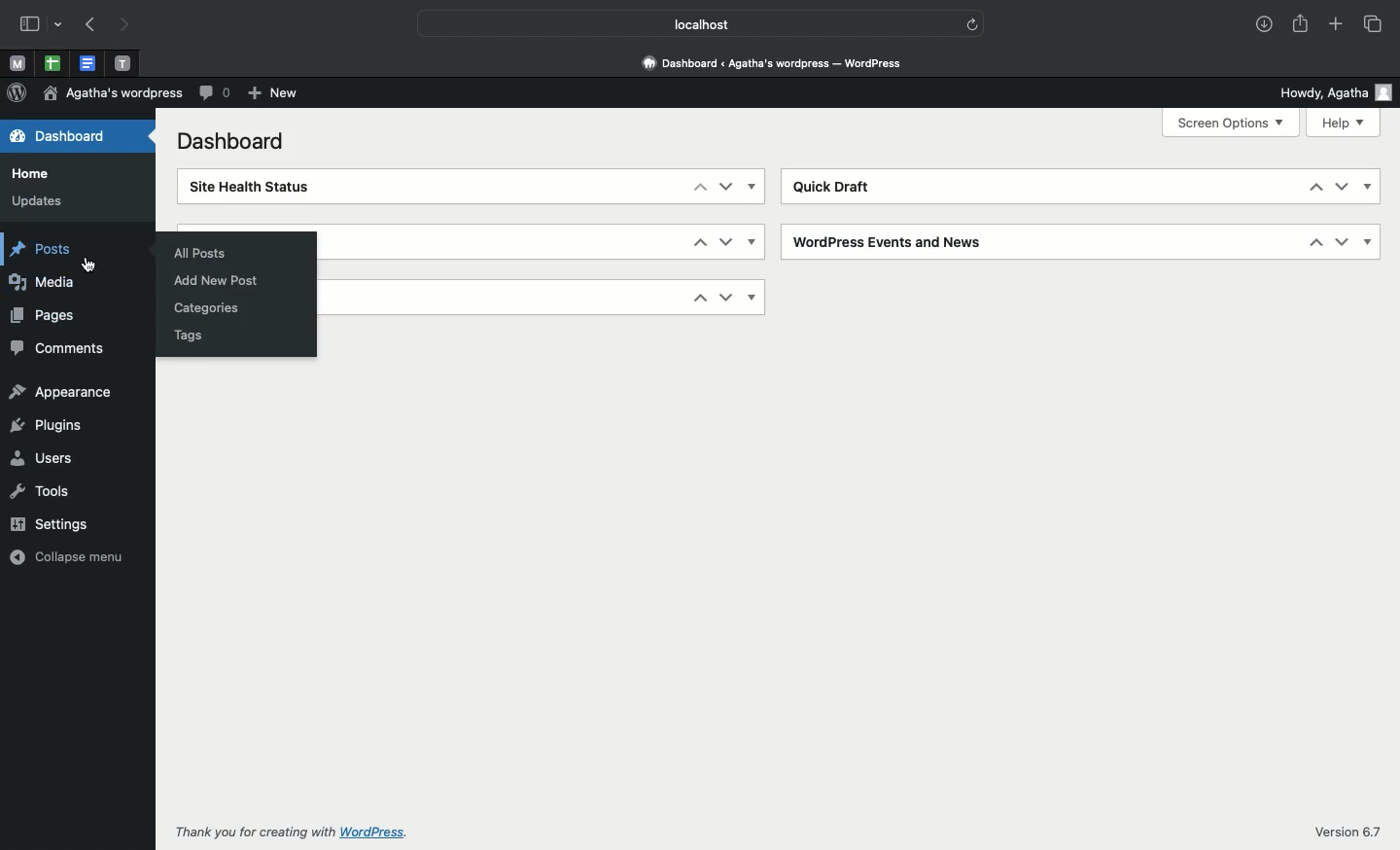  What do you see at coordinates (838, 187) in the screenshot?
I see `Quick draft` at bounding box center [838, 187].